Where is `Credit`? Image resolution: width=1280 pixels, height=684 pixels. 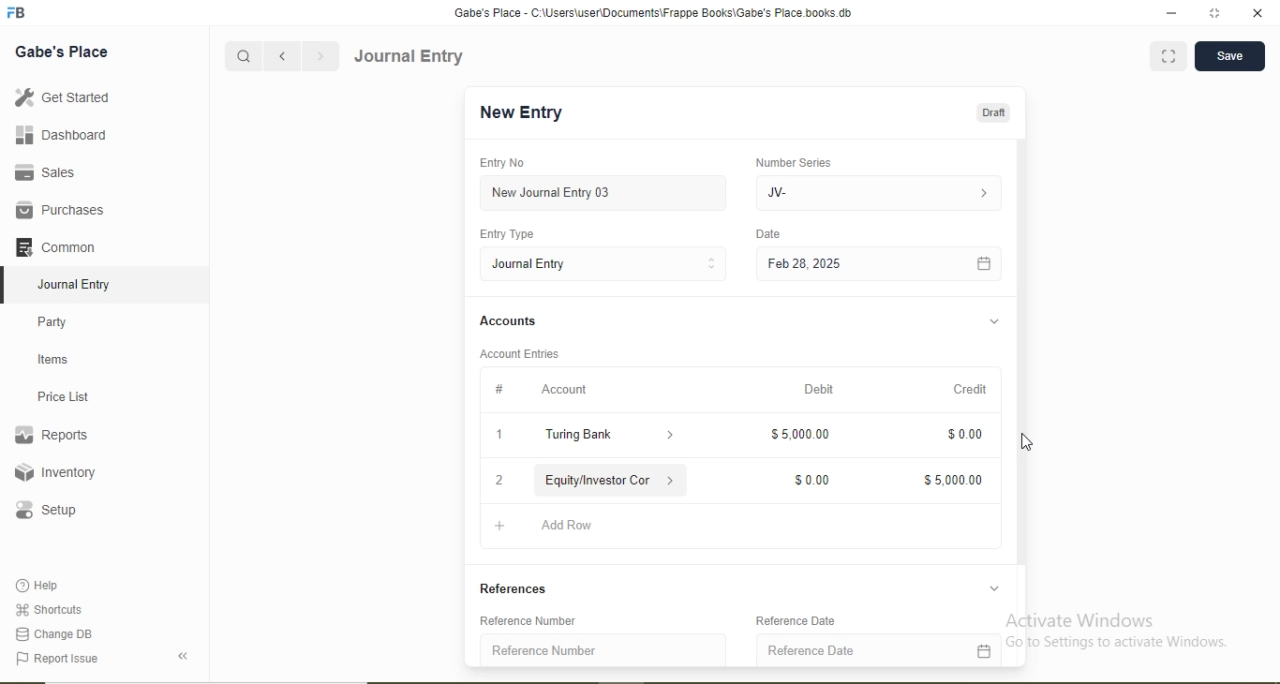
Credit is located at coordinates (970, 389).